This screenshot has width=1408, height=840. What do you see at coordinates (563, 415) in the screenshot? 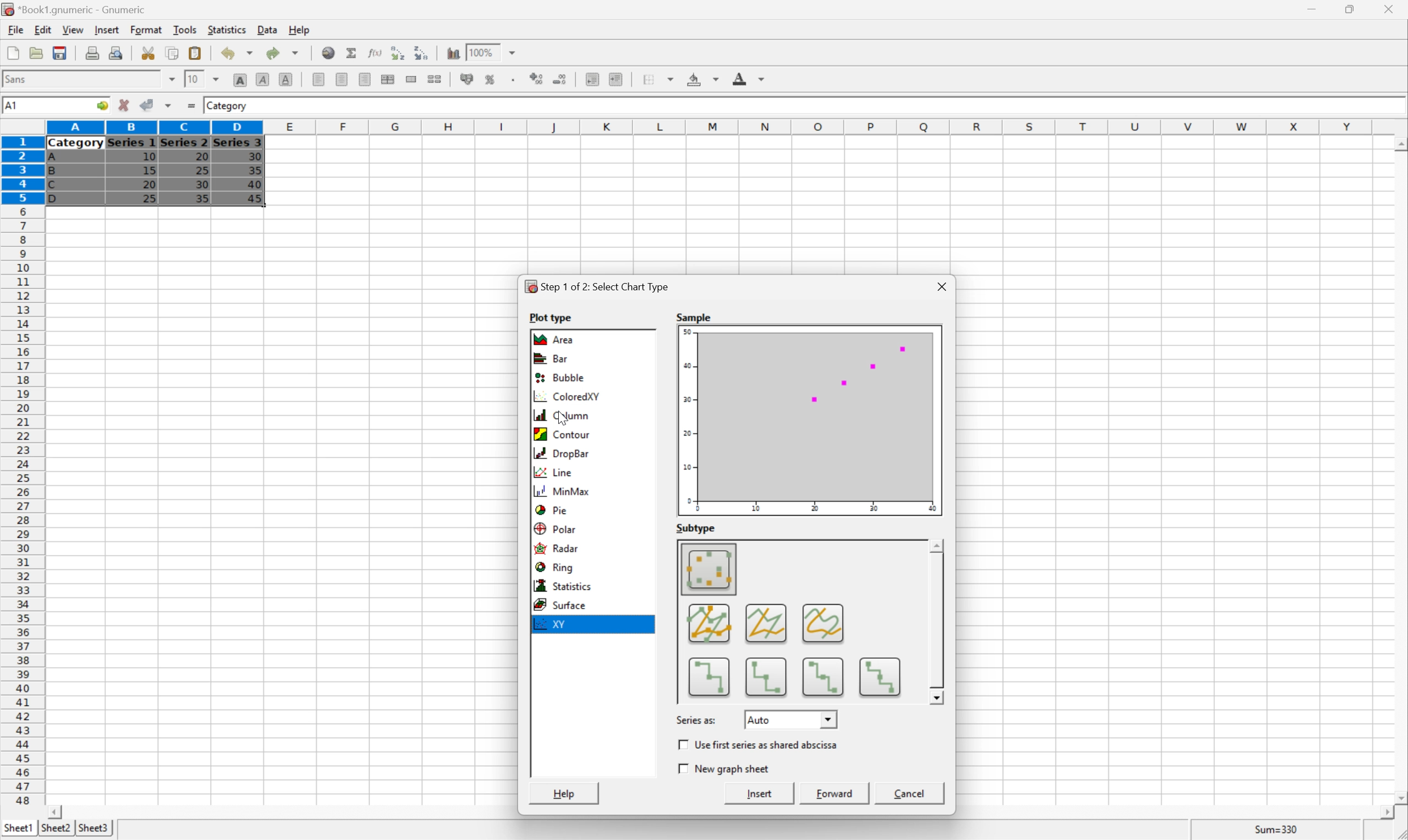
I see `Column` at bounding box center [563, 415].